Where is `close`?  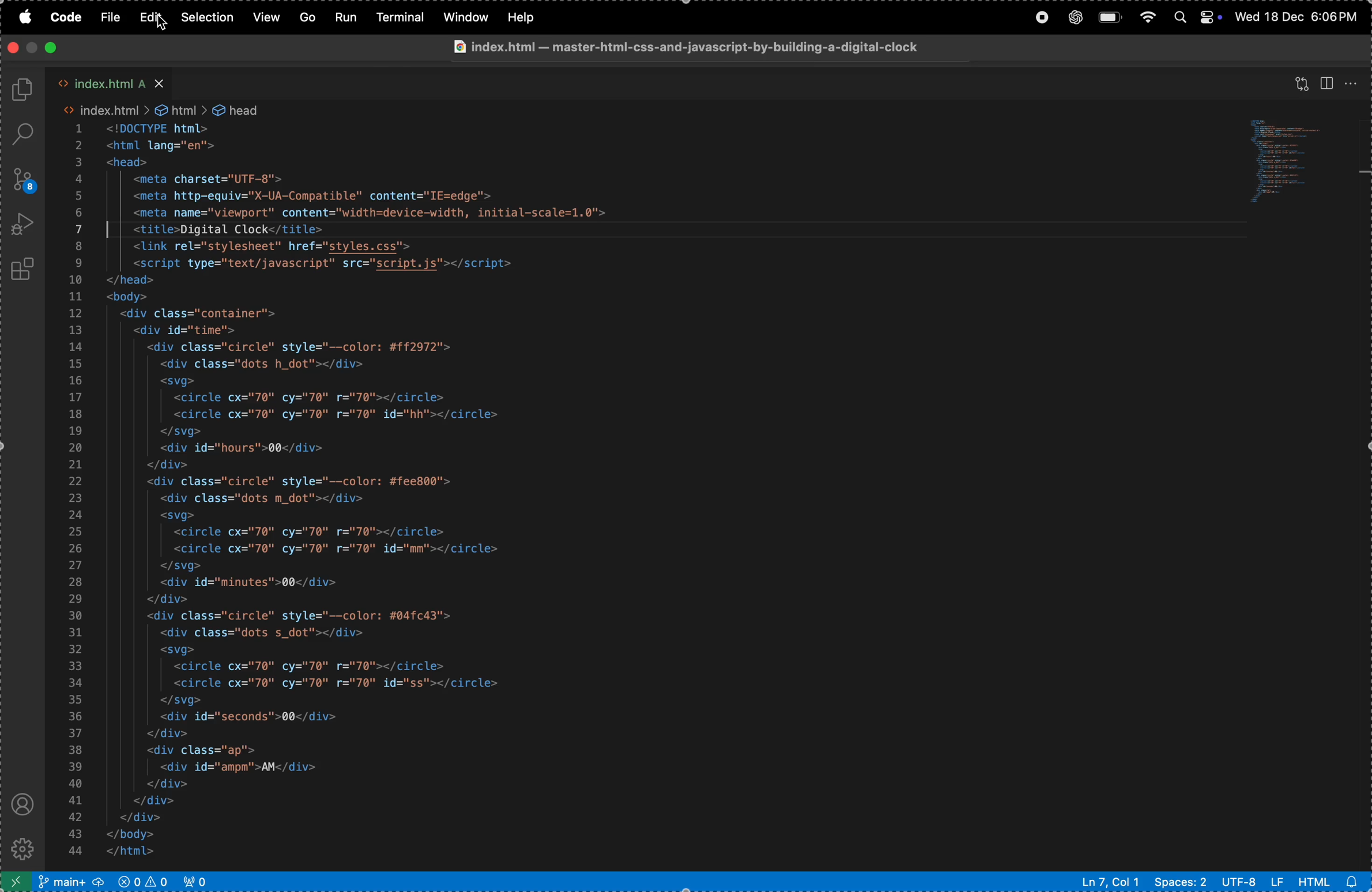 close is located at coordinates (51, 48).